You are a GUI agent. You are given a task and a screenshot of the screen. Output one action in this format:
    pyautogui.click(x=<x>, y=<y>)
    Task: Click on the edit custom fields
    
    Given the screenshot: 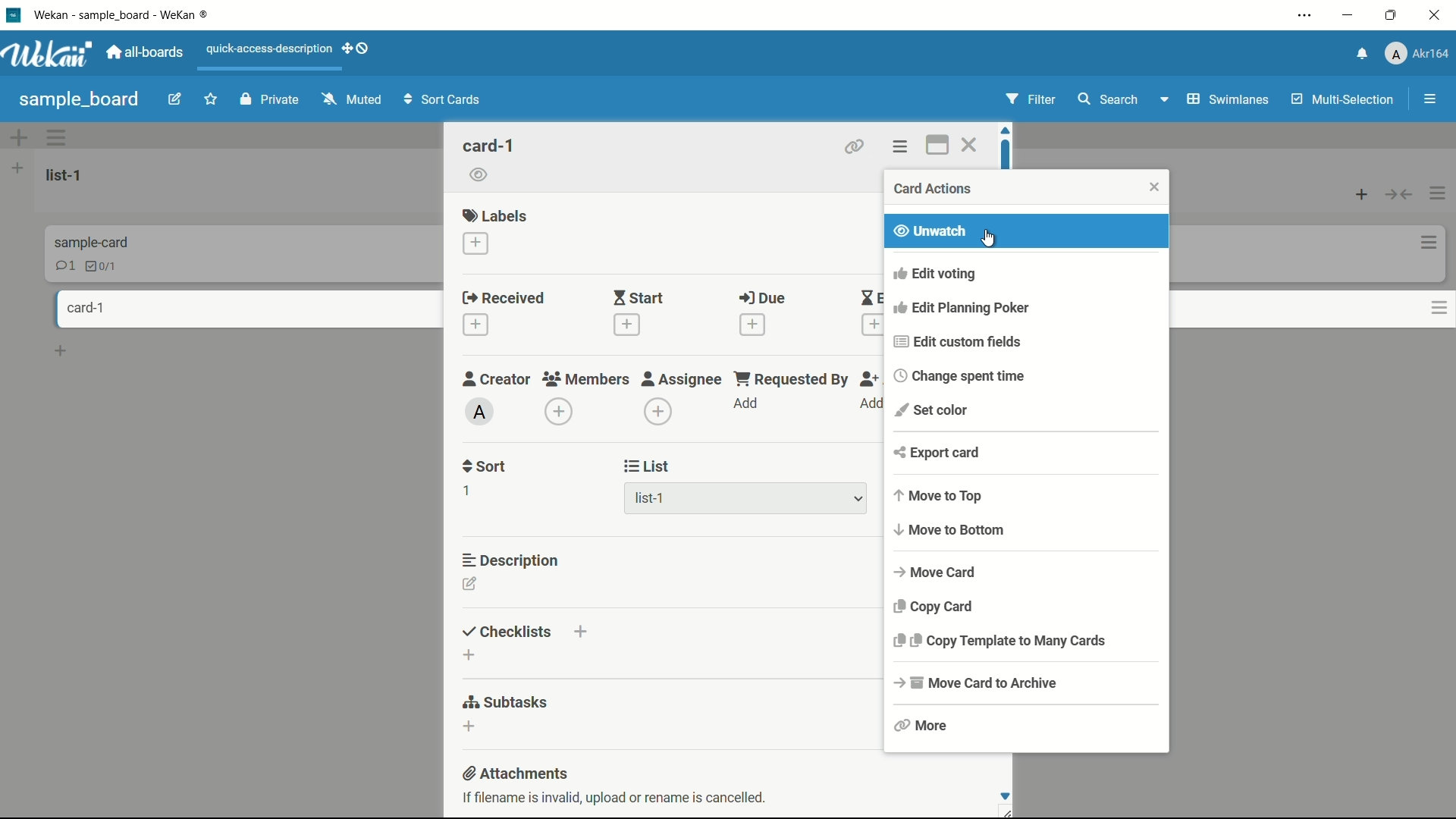 What is the action you would take?
    pyautogui.click(x=959, y=340)
    